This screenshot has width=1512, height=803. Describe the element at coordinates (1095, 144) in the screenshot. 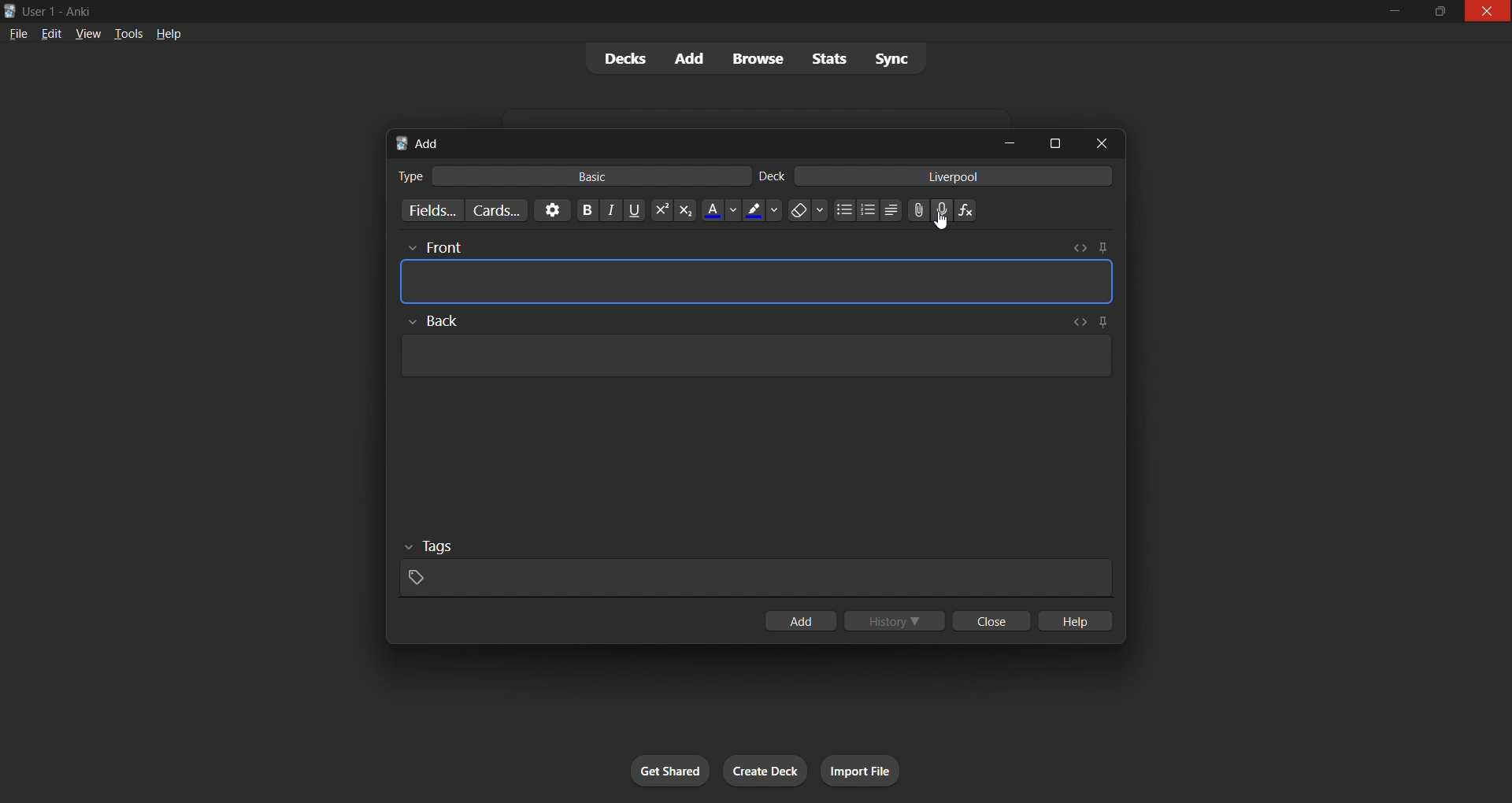

I see `close` at that location.